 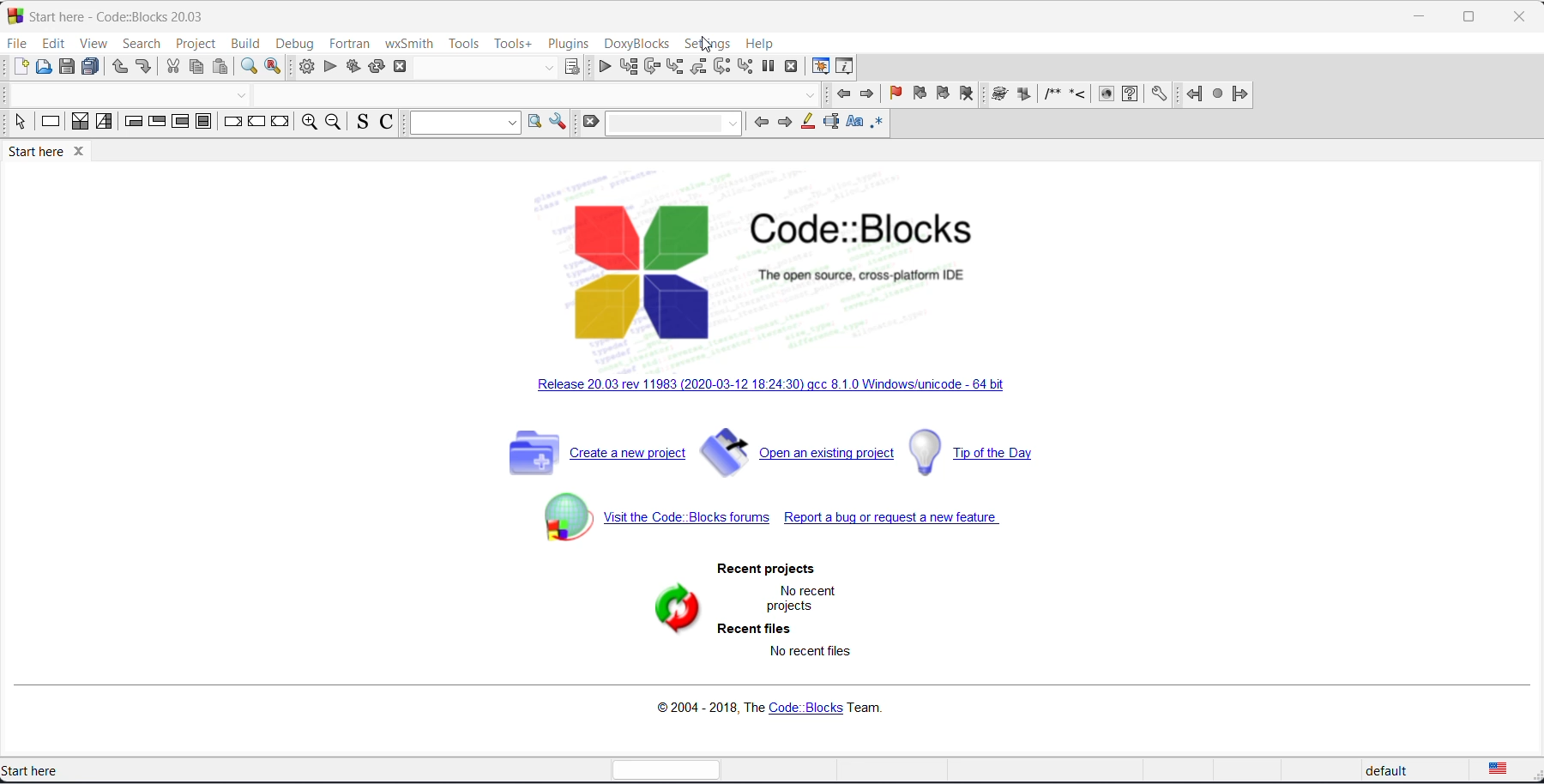 What do you see at coordinates (220, 66) in the screenshot?
I see `paste` at bounding box center [220, 66].